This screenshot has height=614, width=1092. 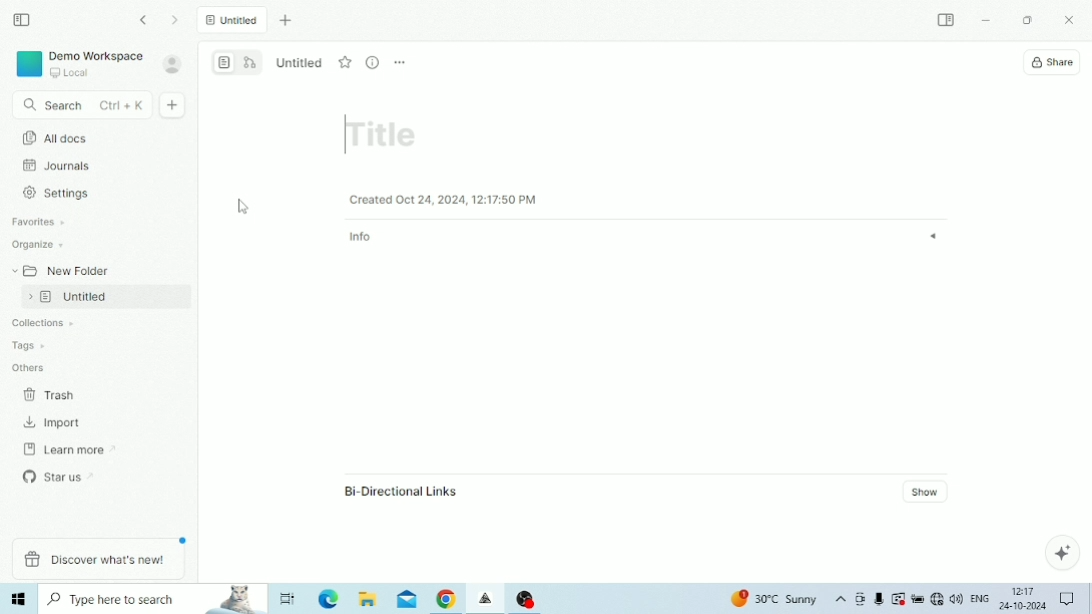 What do you see at coordinates (81, 106) in the screenshot?
I see `Search` at bounding box center [81, 106].